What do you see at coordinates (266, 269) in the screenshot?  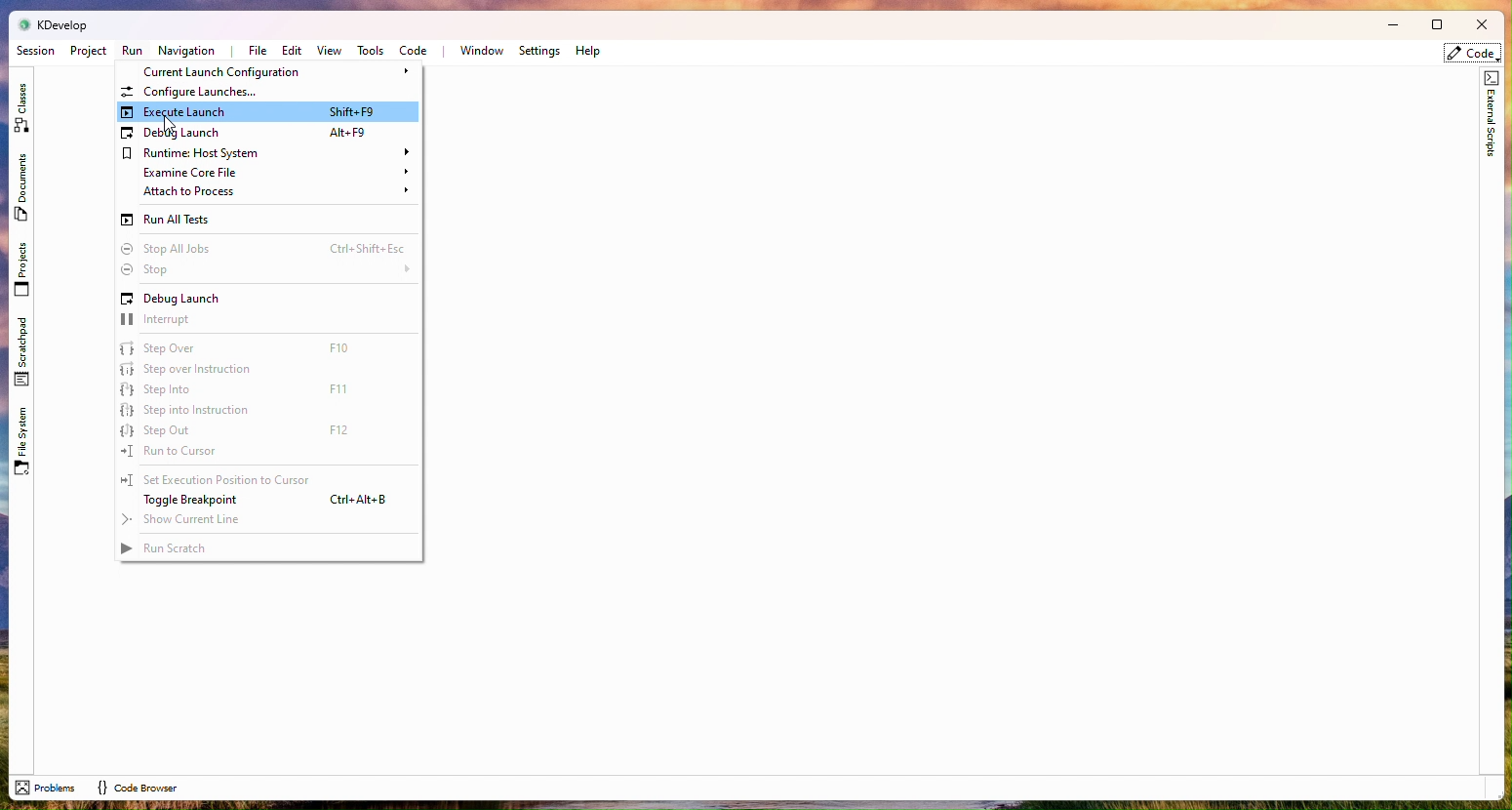 I see `Stops` at bounding box center [266, 269].